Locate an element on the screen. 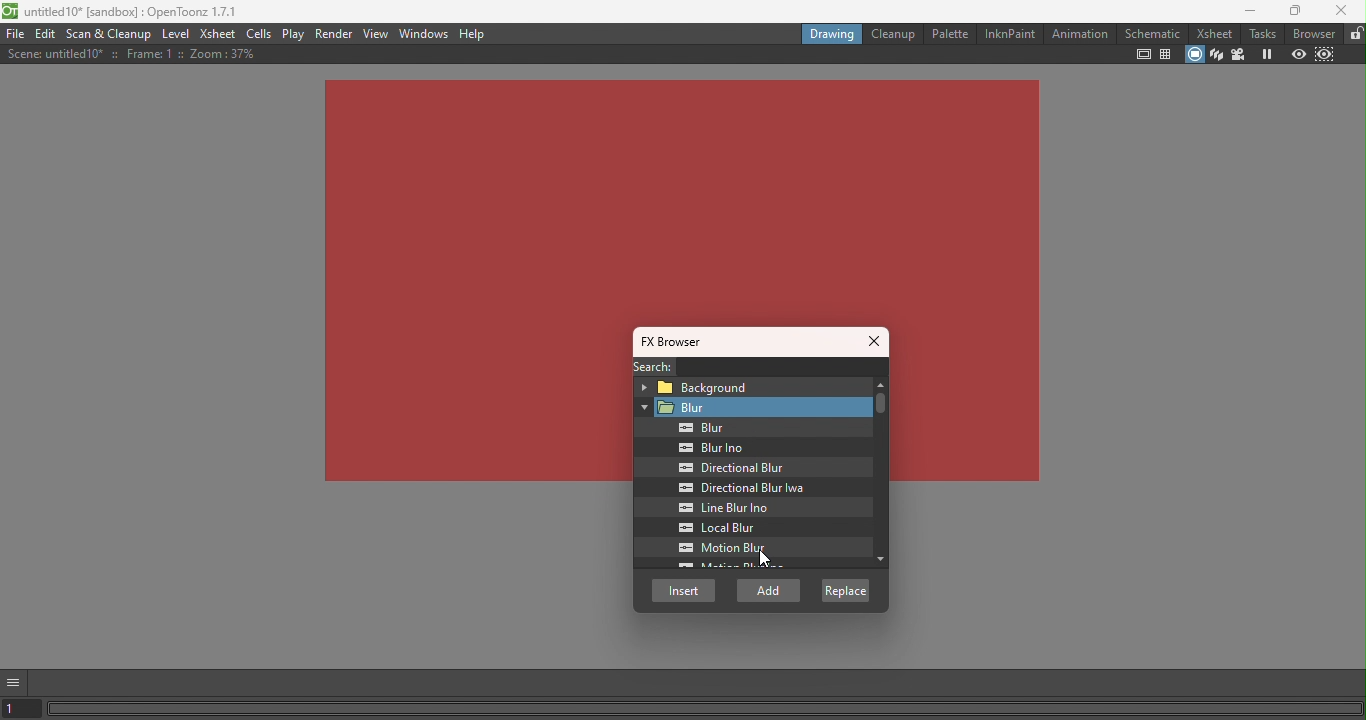  Set the current frame is located at coordinates (21, 710).